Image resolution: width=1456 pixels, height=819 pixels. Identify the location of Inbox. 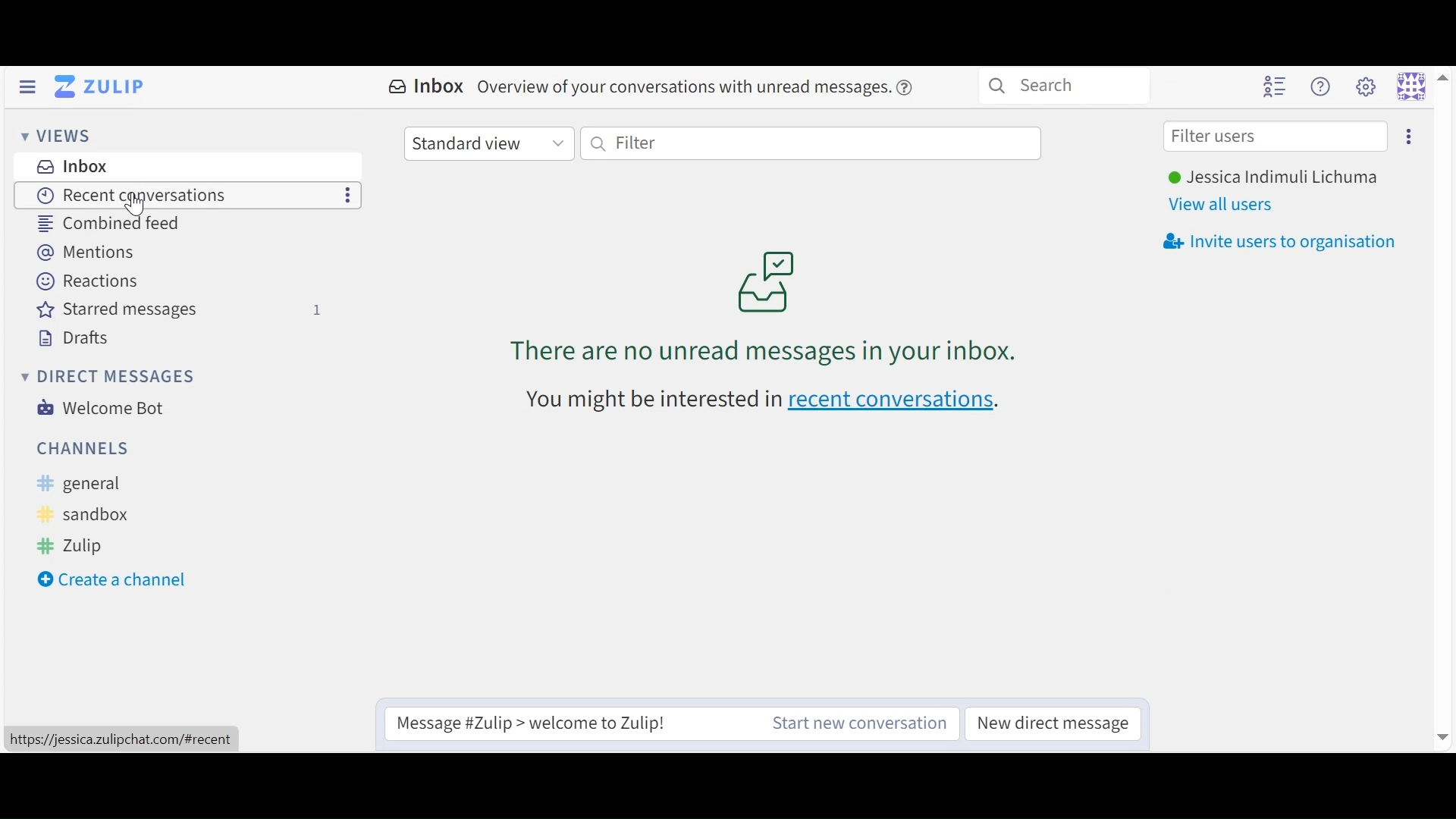
(71, 166).